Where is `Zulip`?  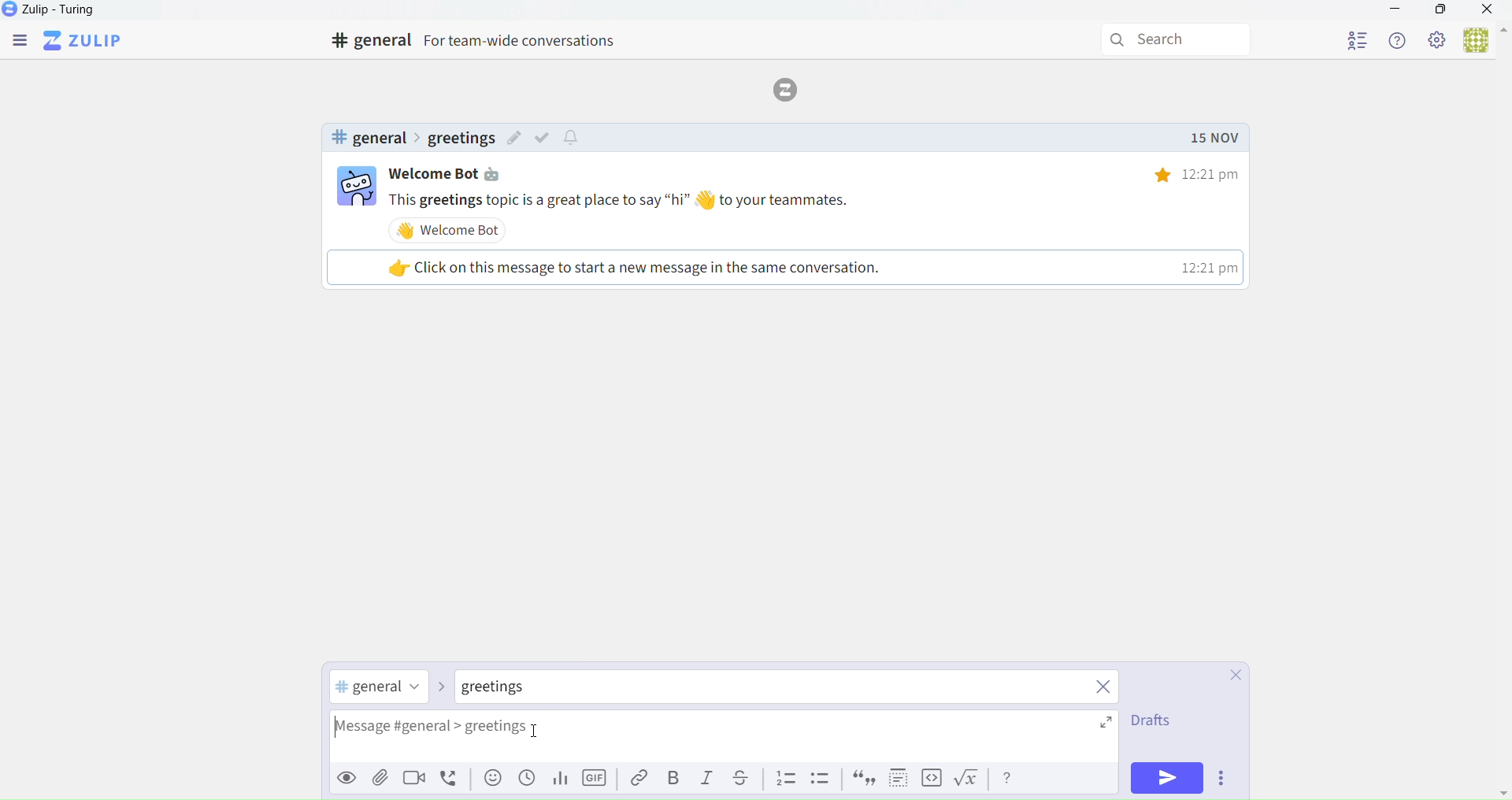 Zulip is located at coordinates (67, 13).